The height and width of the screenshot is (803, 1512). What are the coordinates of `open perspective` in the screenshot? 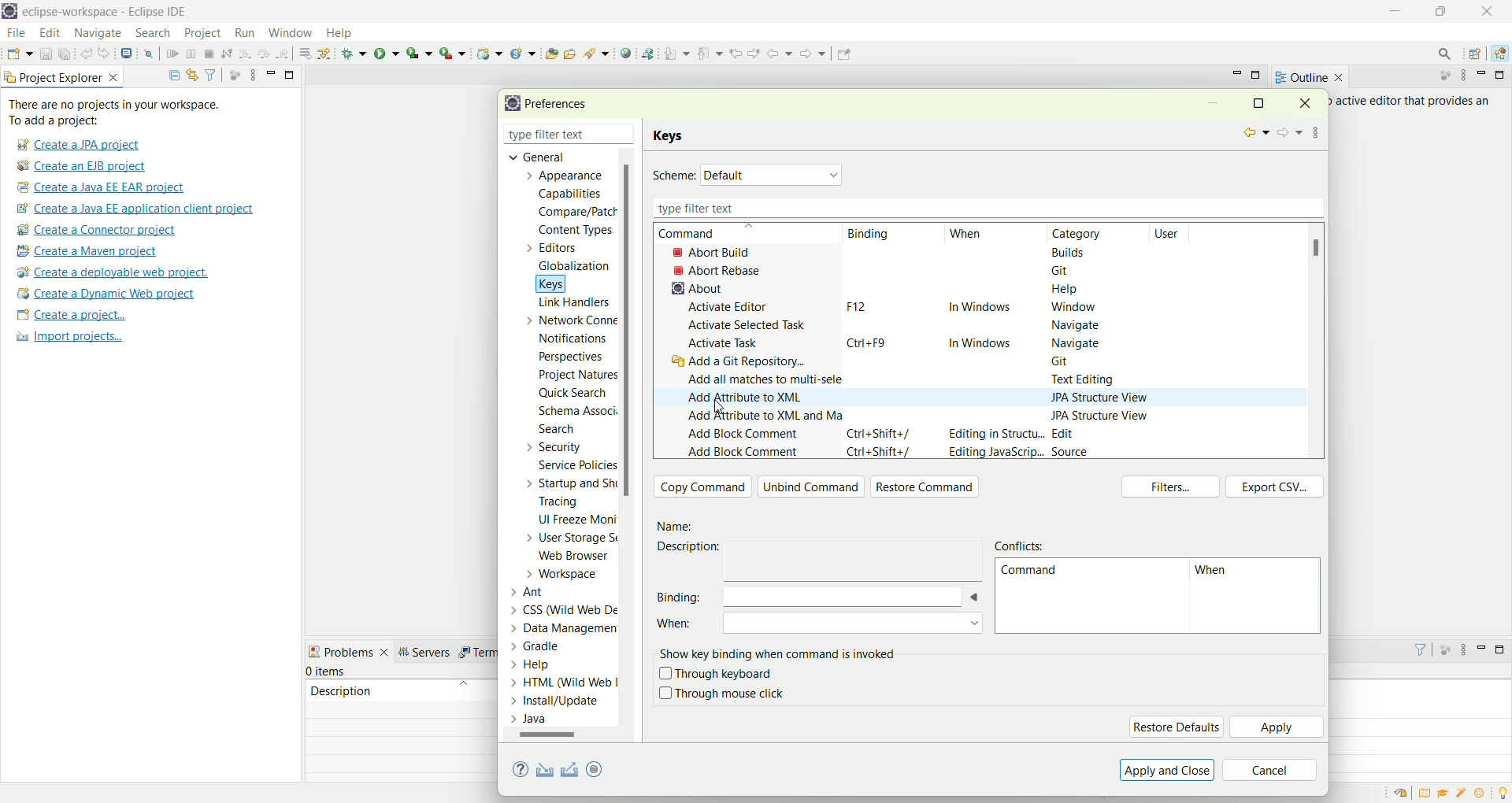 It's located at (1477, 55).